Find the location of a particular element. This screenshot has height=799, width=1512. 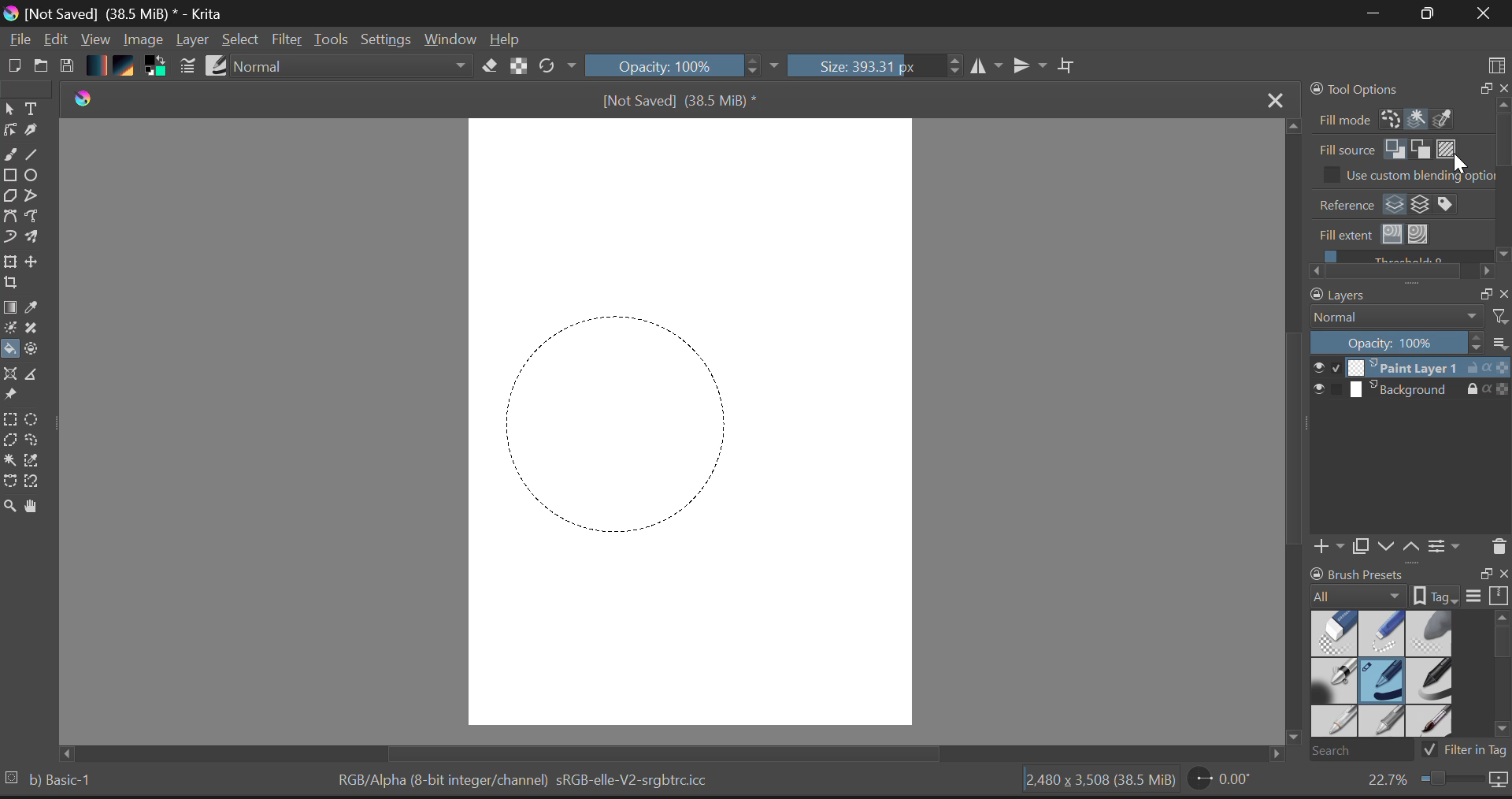

Document Dimensions is located at coordinates (1097, 782).